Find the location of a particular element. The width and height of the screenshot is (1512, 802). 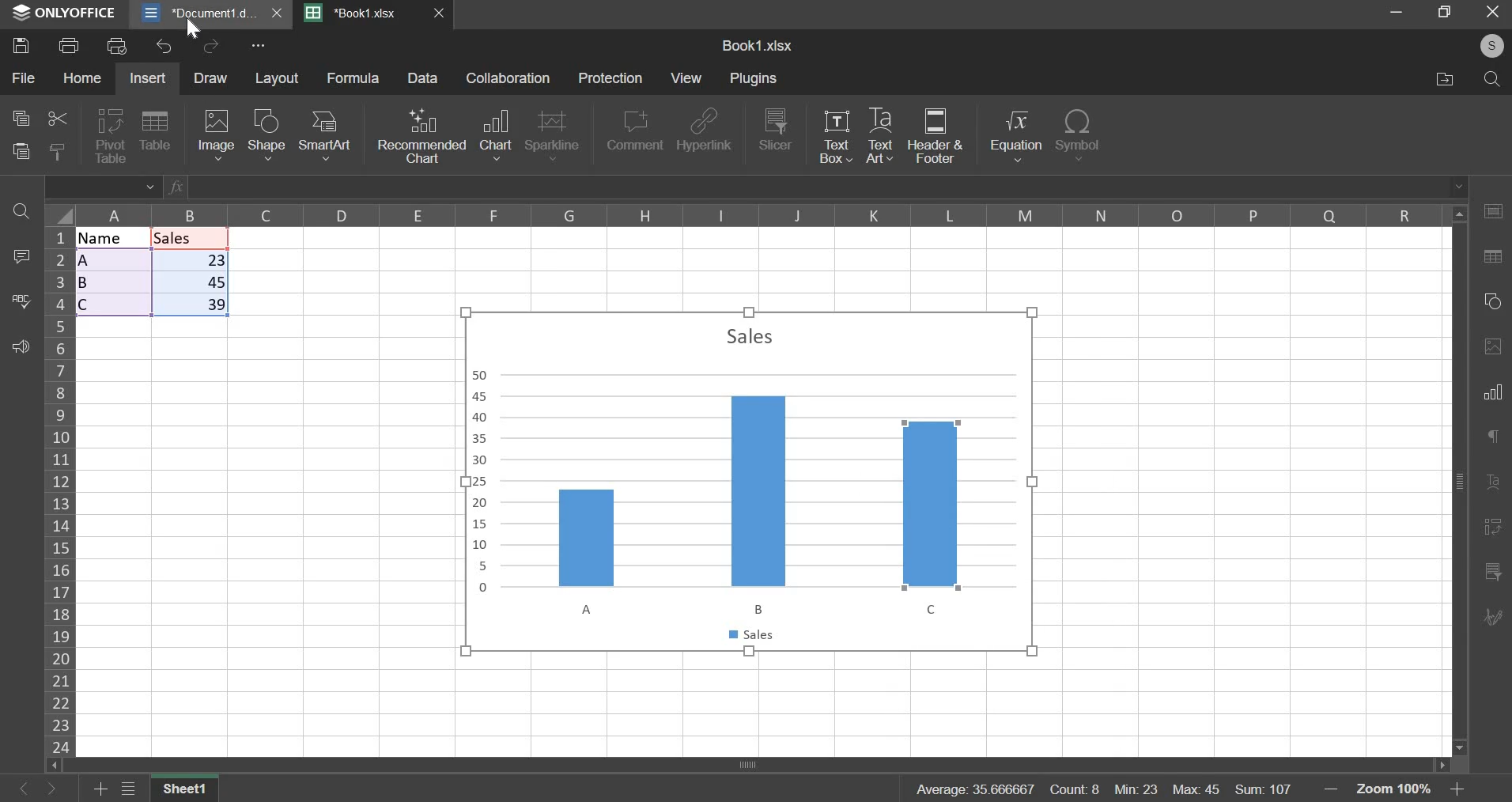

smart art is located at coordinates (325, 135).